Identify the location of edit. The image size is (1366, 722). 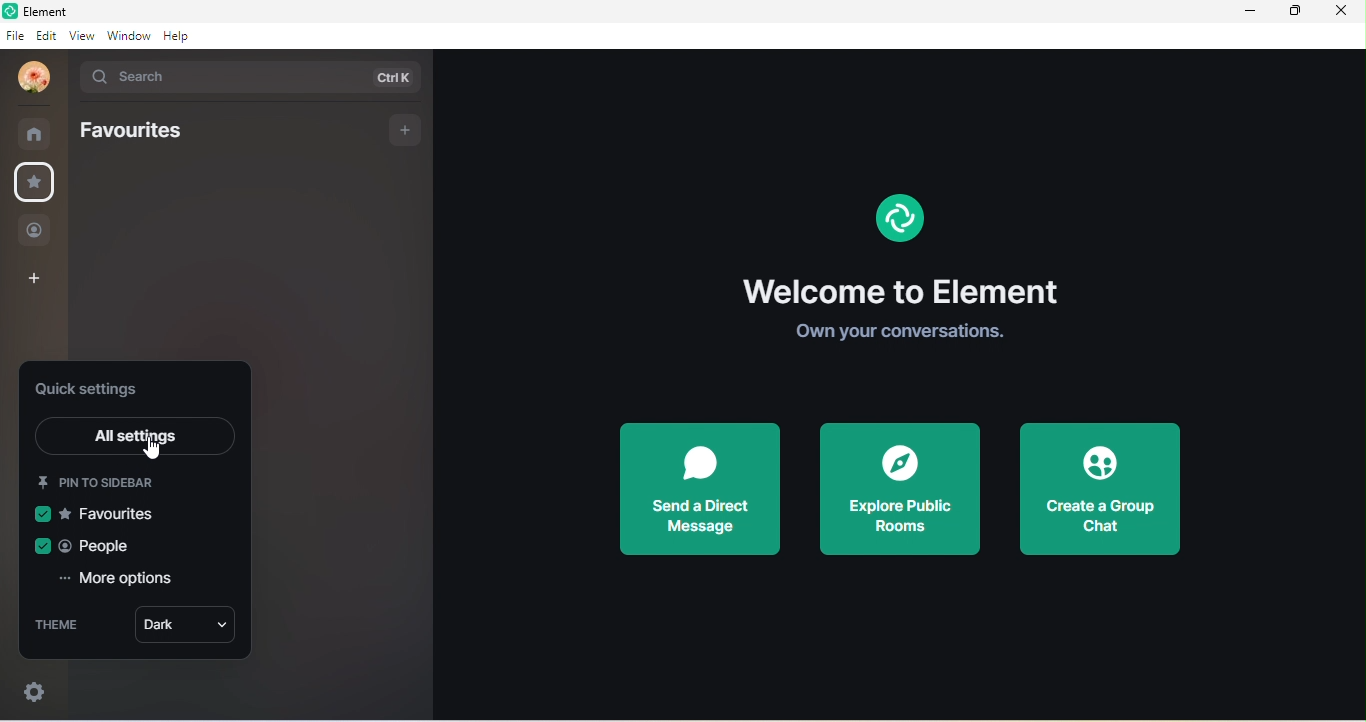
(44, 35).